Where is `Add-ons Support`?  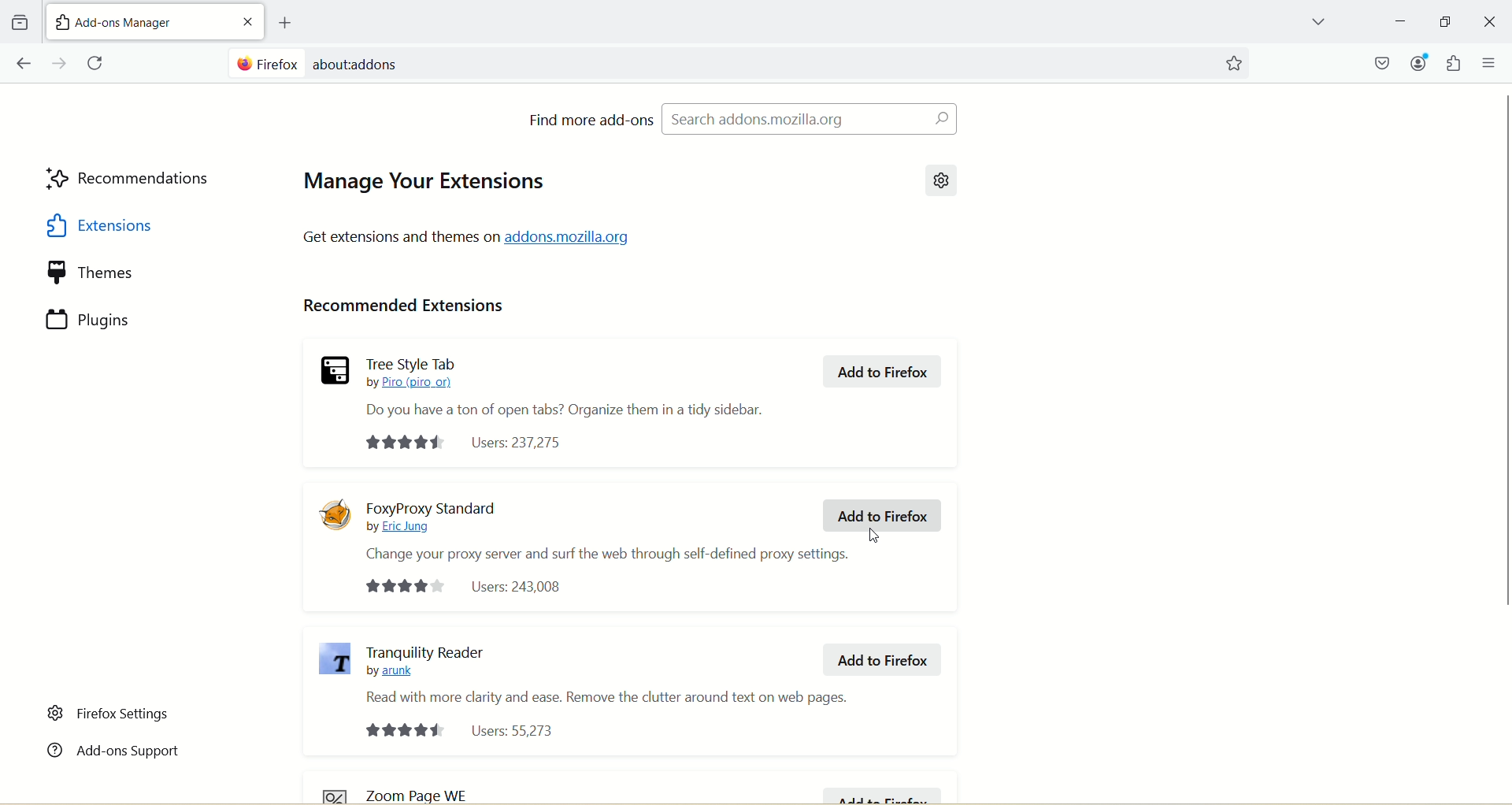 Add-ons Support is located at coordinates (113, 748).